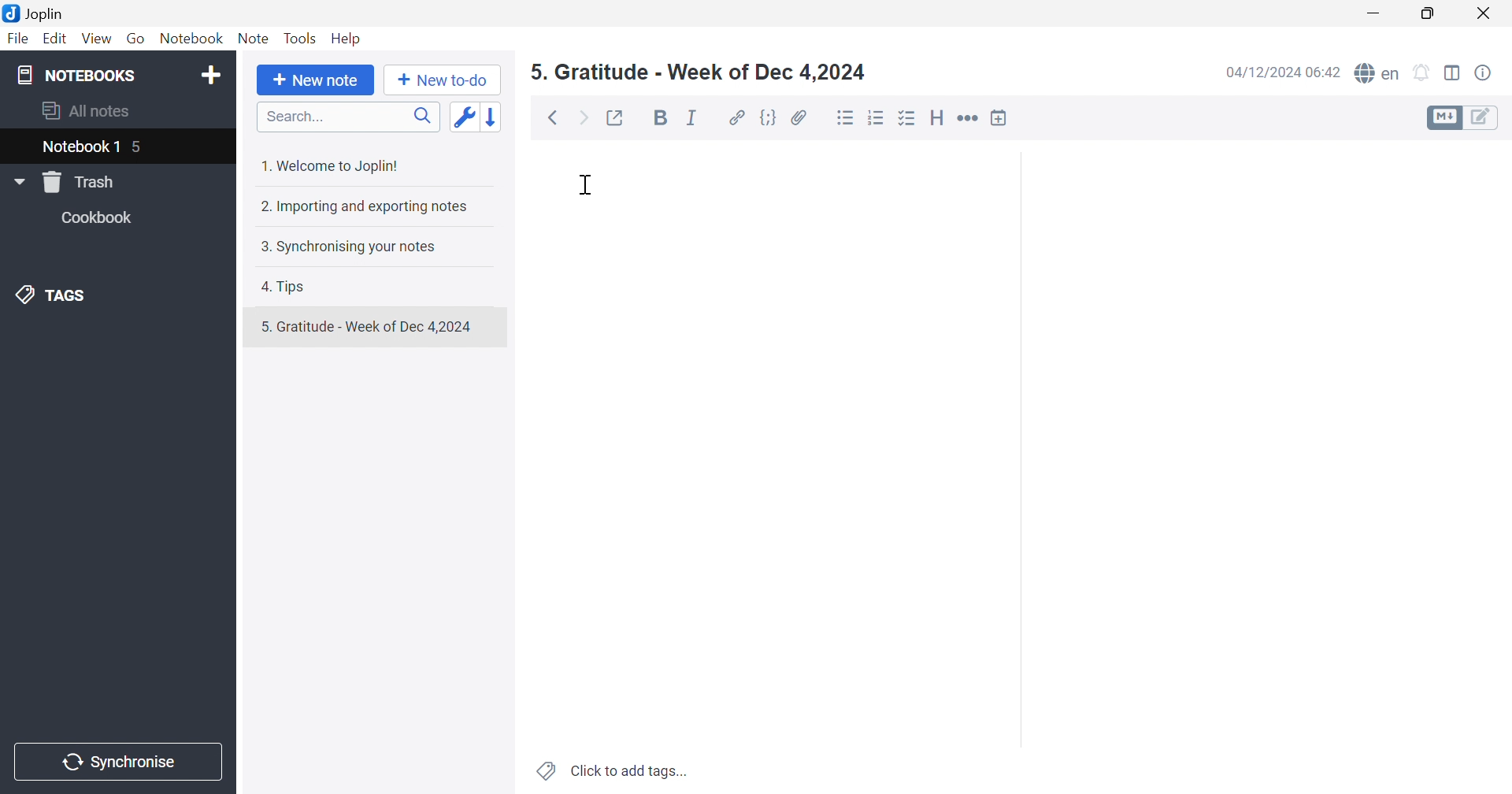  I want to click on Insert time, so click(1003, 117).